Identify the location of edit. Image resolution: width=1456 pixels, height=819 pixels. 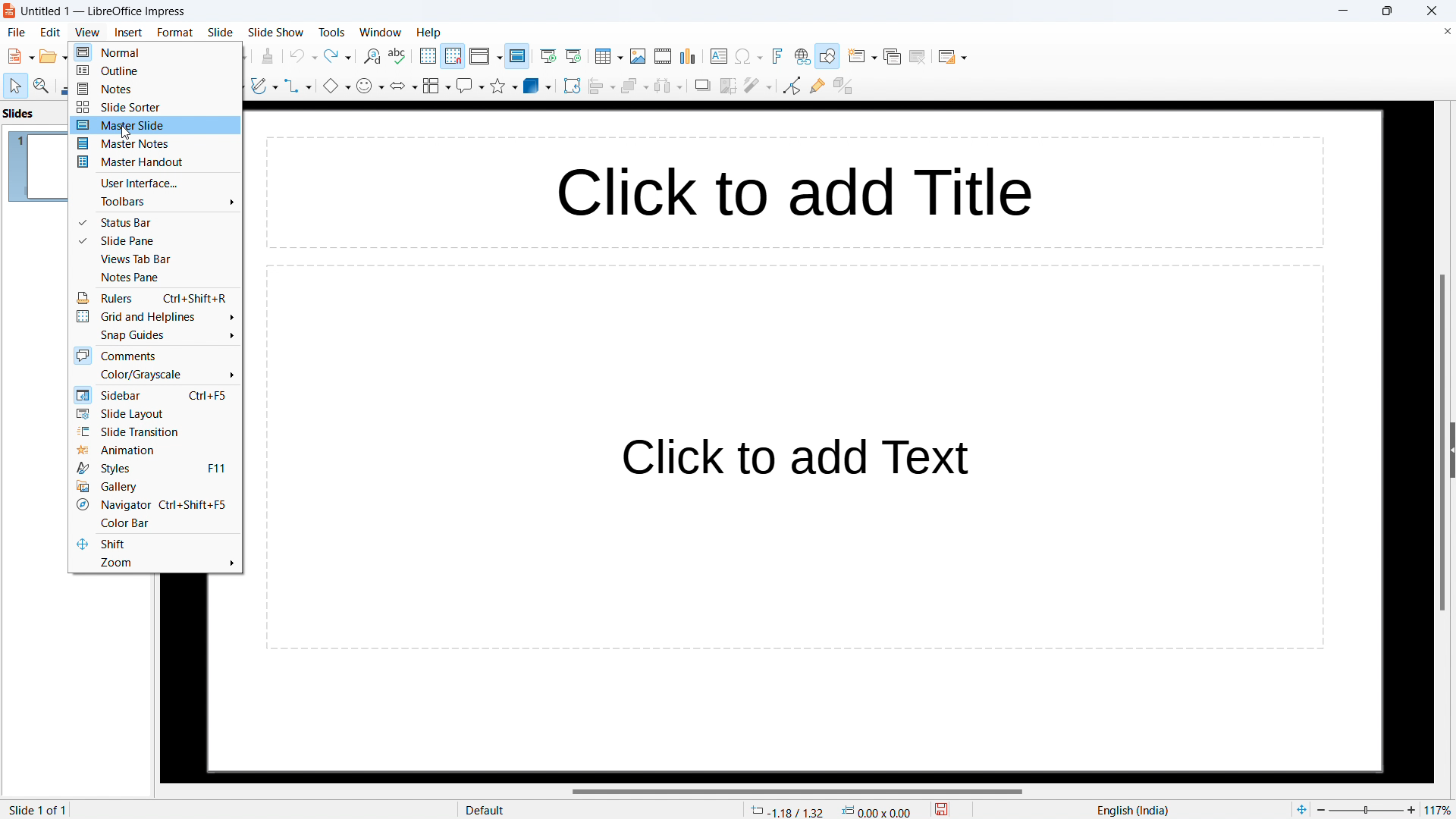
(51, 33).